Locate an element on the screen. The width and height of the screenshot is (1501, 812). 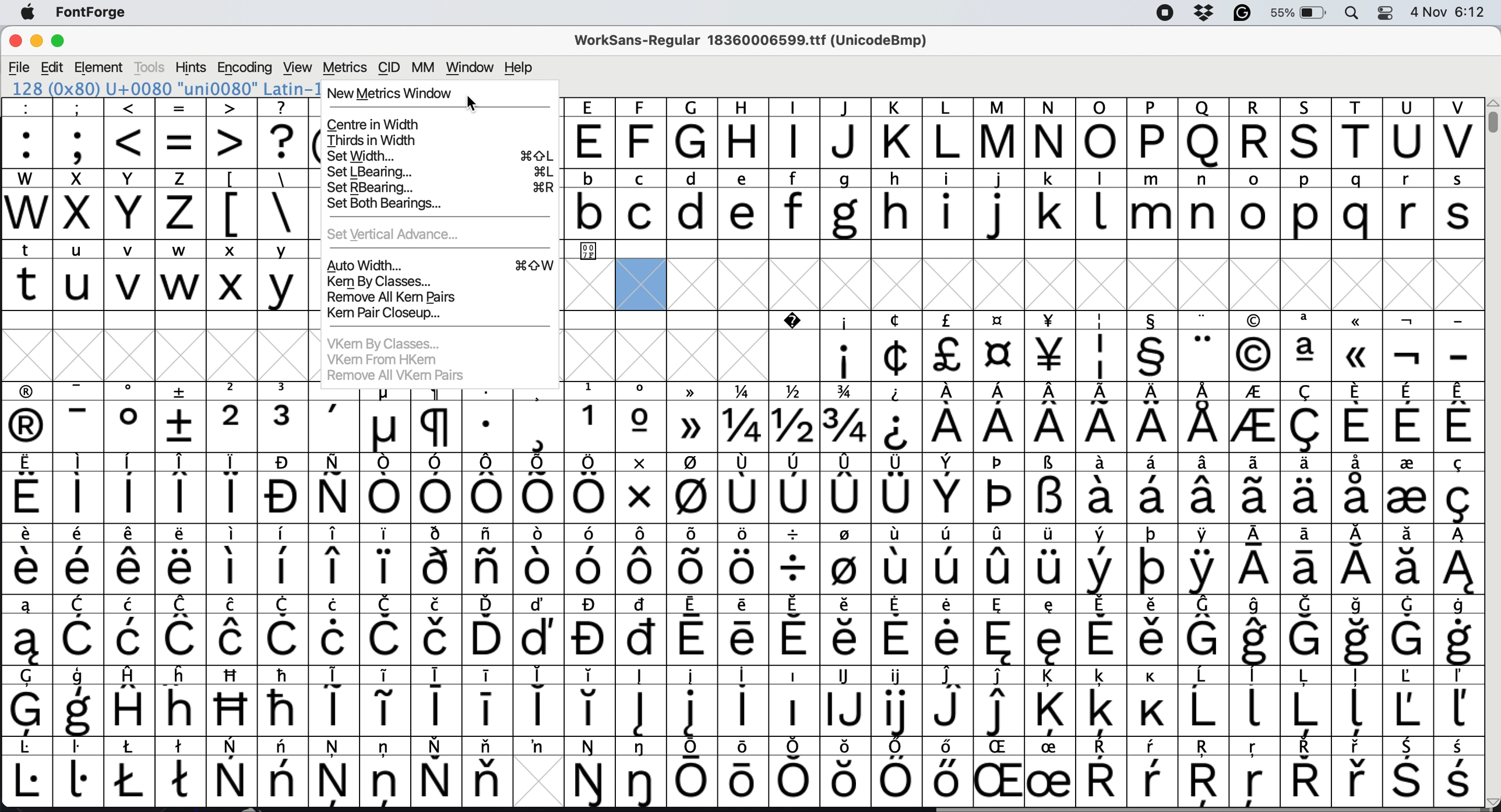
special characters is located at coordinates (741, 712).